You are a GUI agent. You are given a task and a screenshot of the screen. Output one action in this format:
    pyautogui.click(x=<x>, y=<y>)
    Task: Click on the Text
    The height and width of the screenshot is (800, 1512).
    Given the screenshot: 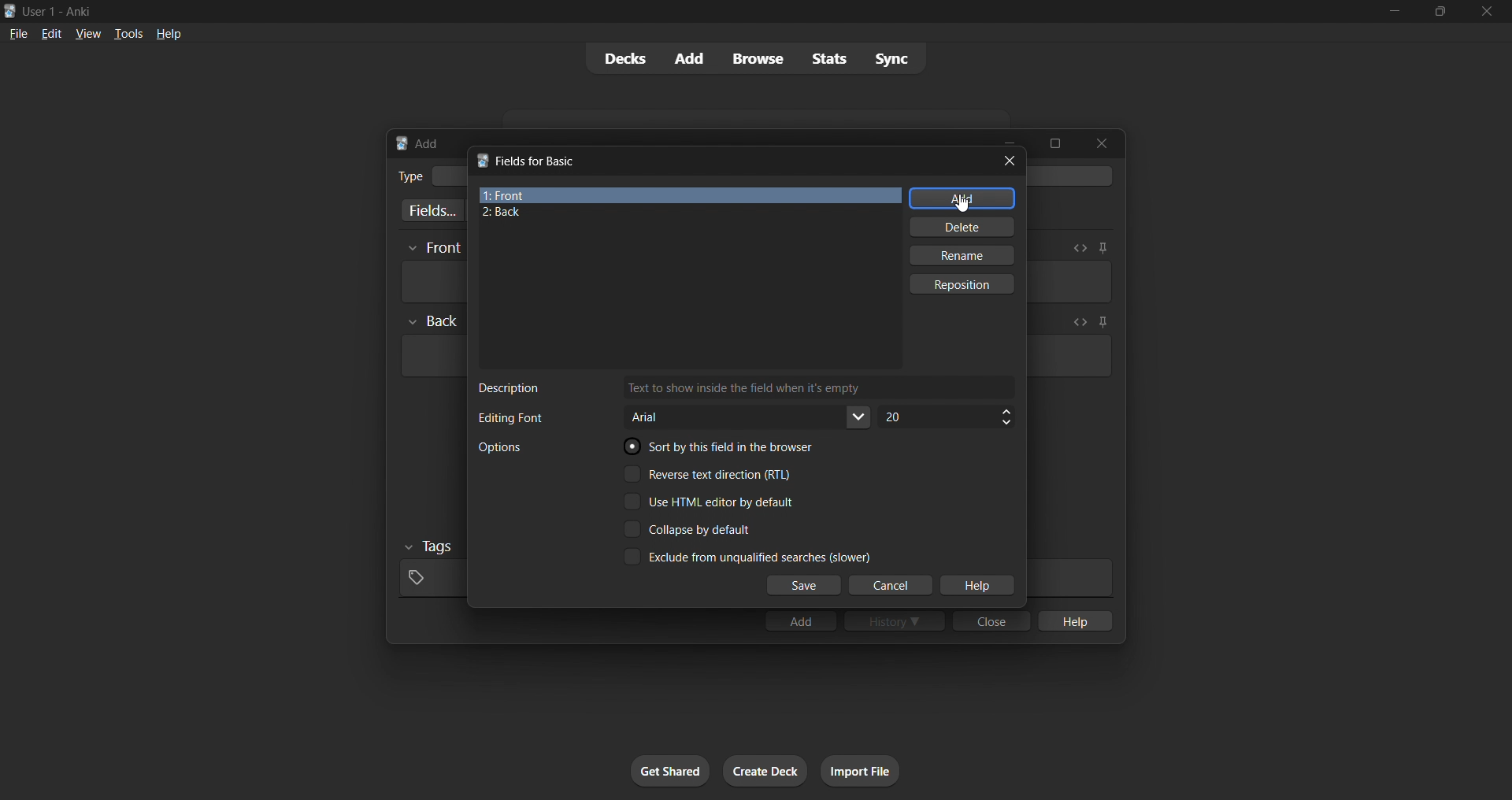 What is the action you would take?
    pyautogui.click(x=409, y=176)
    